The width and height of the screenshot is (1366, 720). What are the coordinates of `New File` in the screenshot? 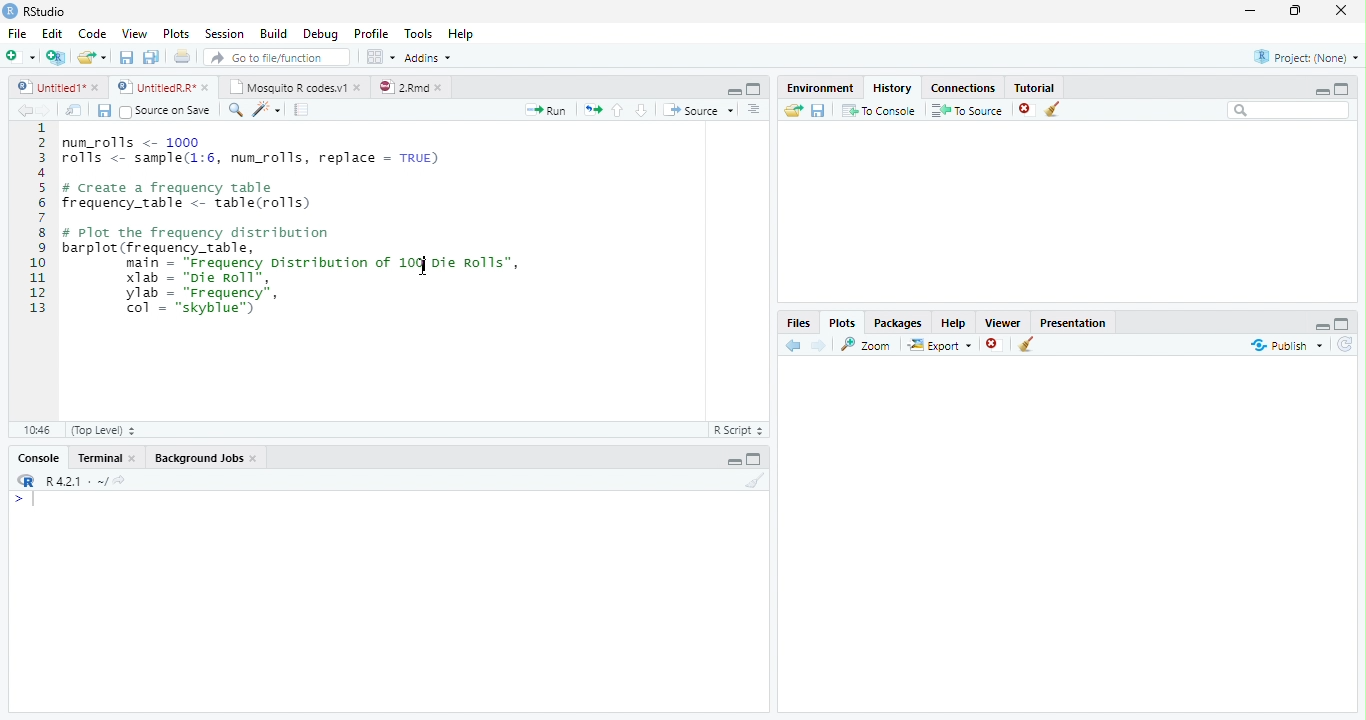 It's located at (20, 56).